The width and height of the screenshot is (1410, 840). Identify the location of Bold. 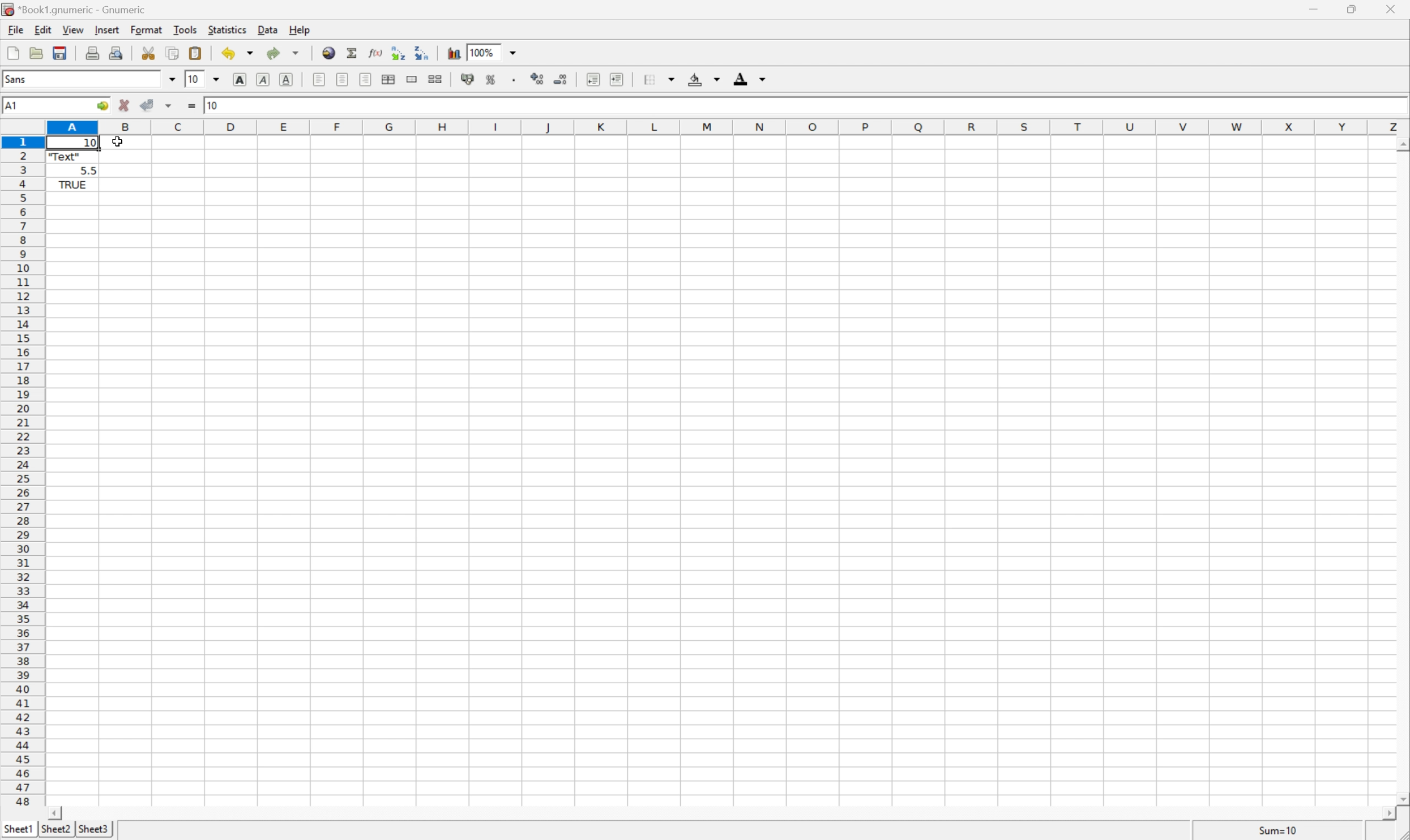
(241, 79).